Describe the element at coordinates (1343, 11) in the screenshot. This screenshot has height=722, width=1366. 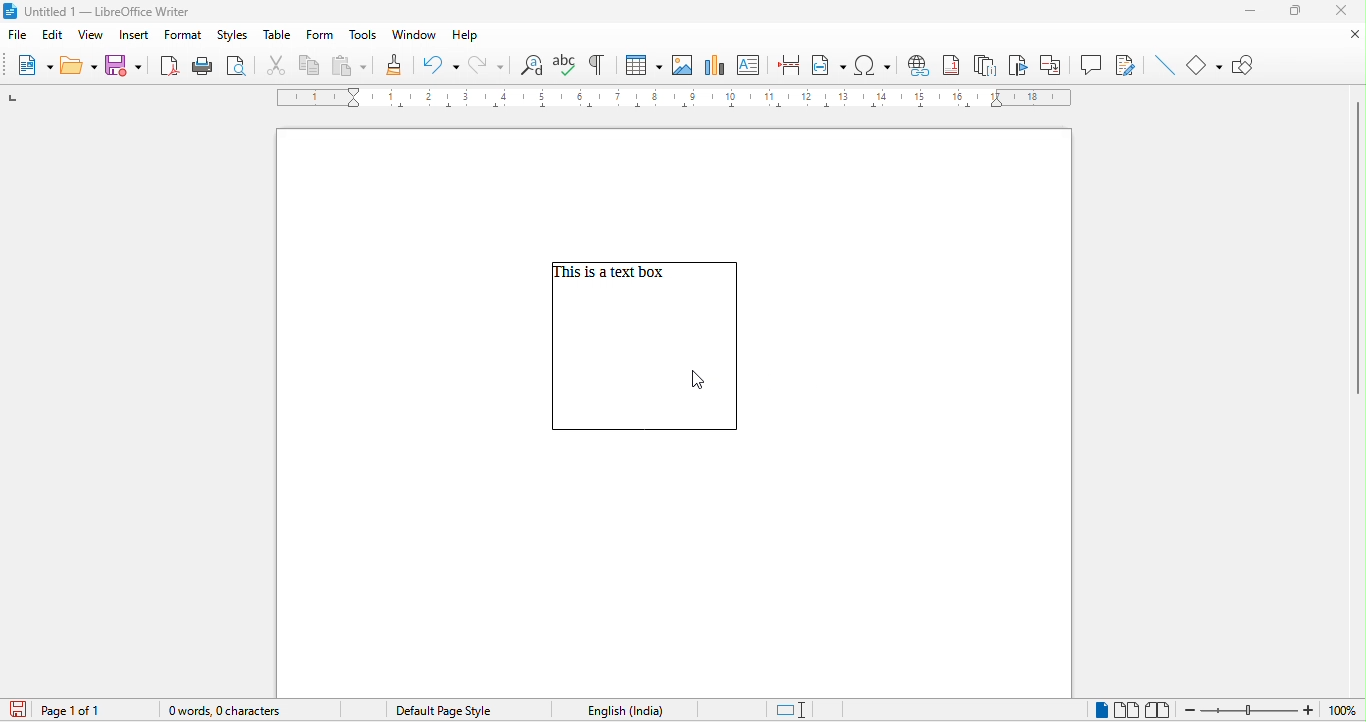
I see `close` at that location.